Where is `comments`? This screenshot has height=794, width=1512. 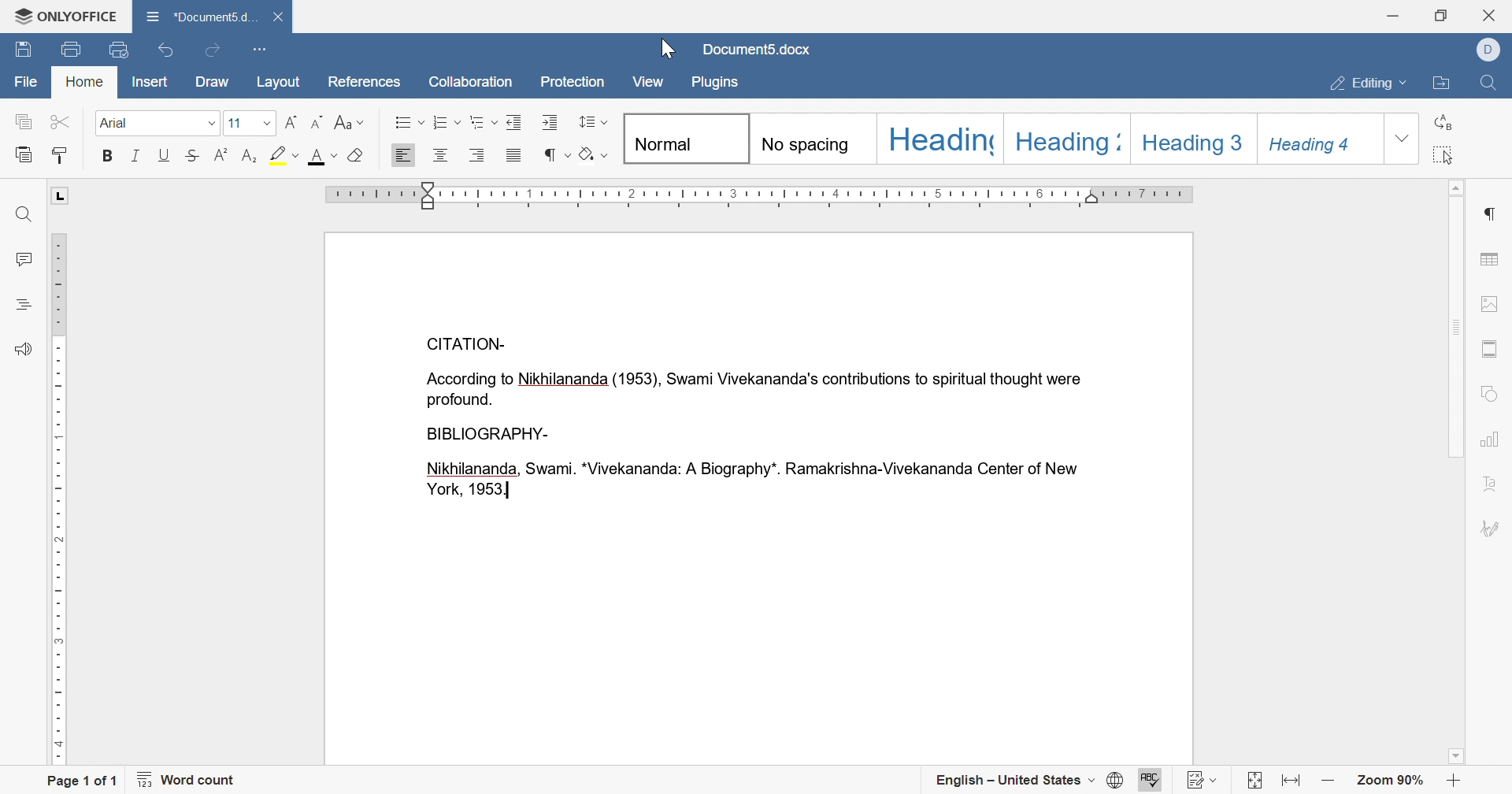 comments is located at coordinates (26, 259).